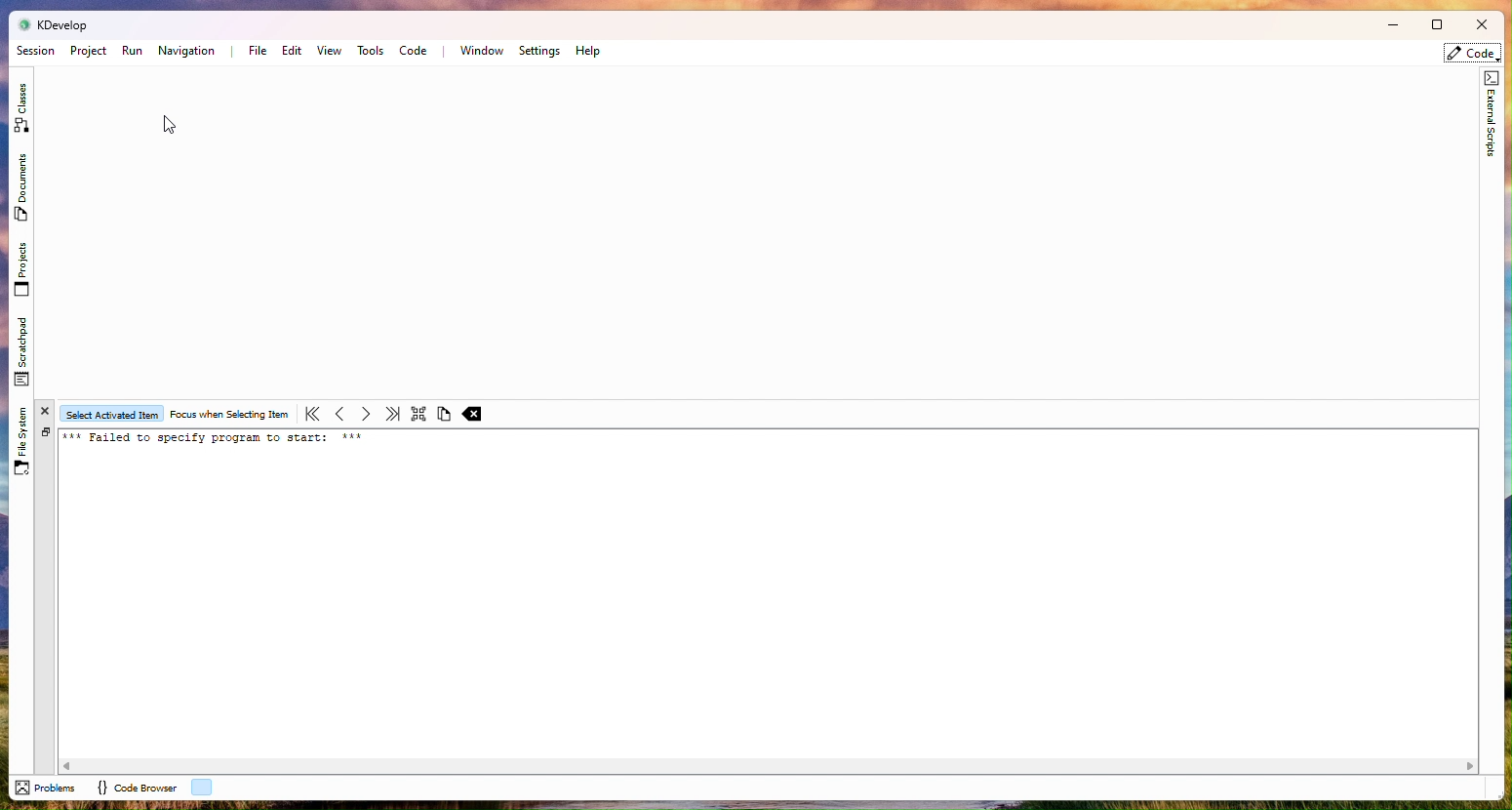  Describe the element at coordinates (1480, 26) in the screenshot. I see `Close` at that location.